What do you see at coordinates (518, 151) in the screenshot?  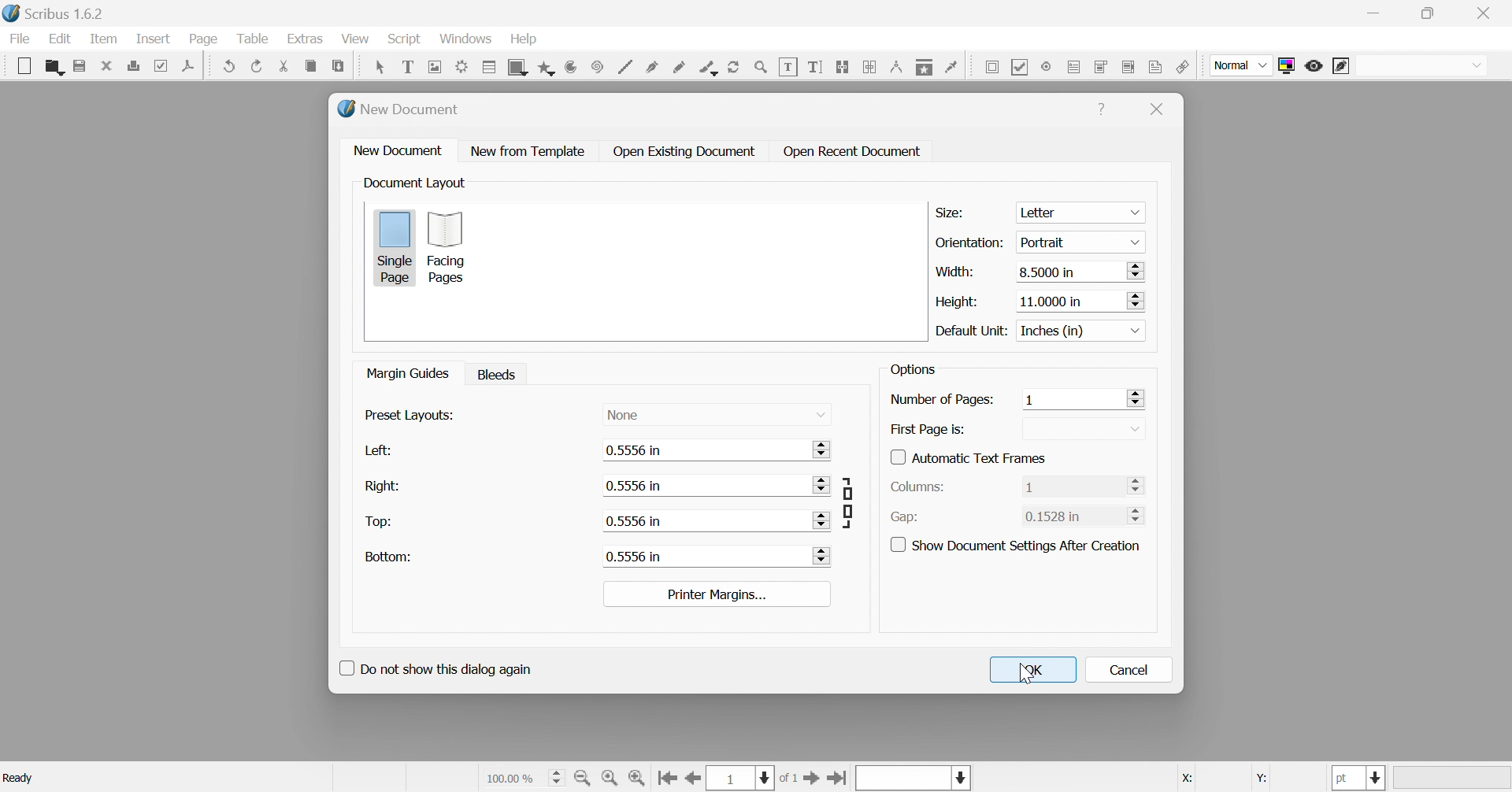 I see `` at bounding box center [518, 151].